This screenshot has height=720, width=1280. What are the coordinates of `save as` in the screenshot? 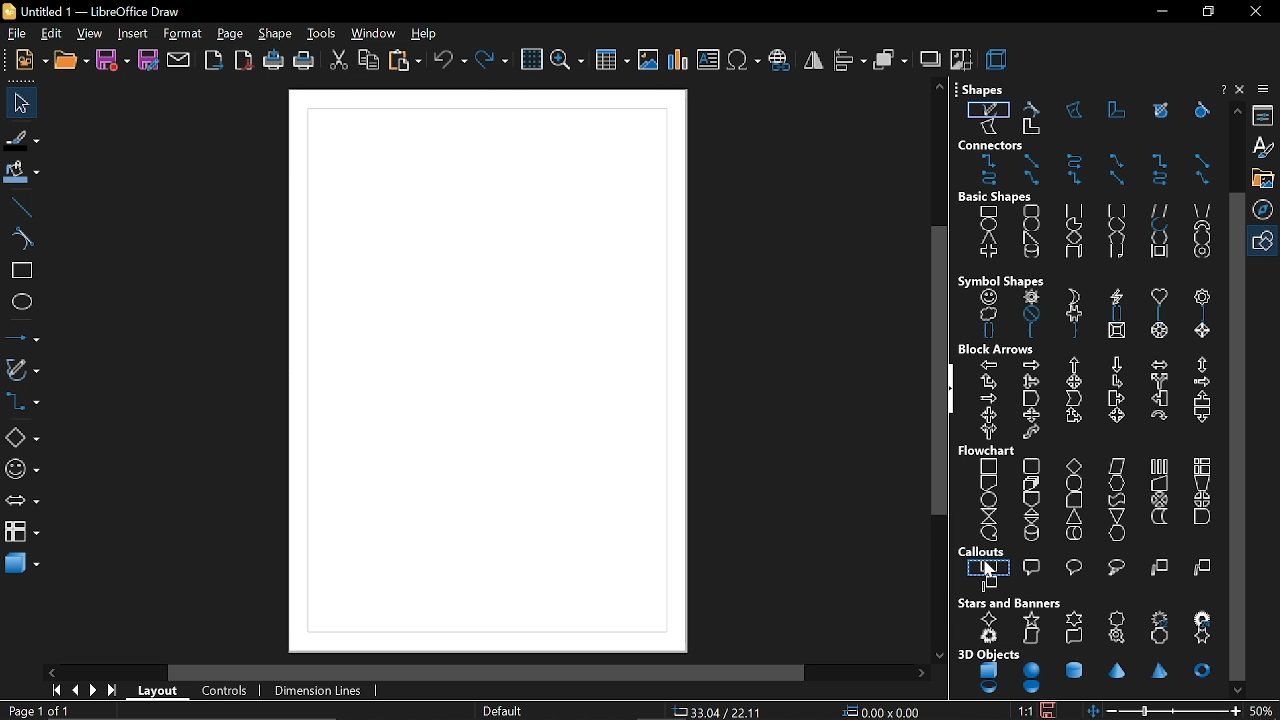 It's located at (148, 61).